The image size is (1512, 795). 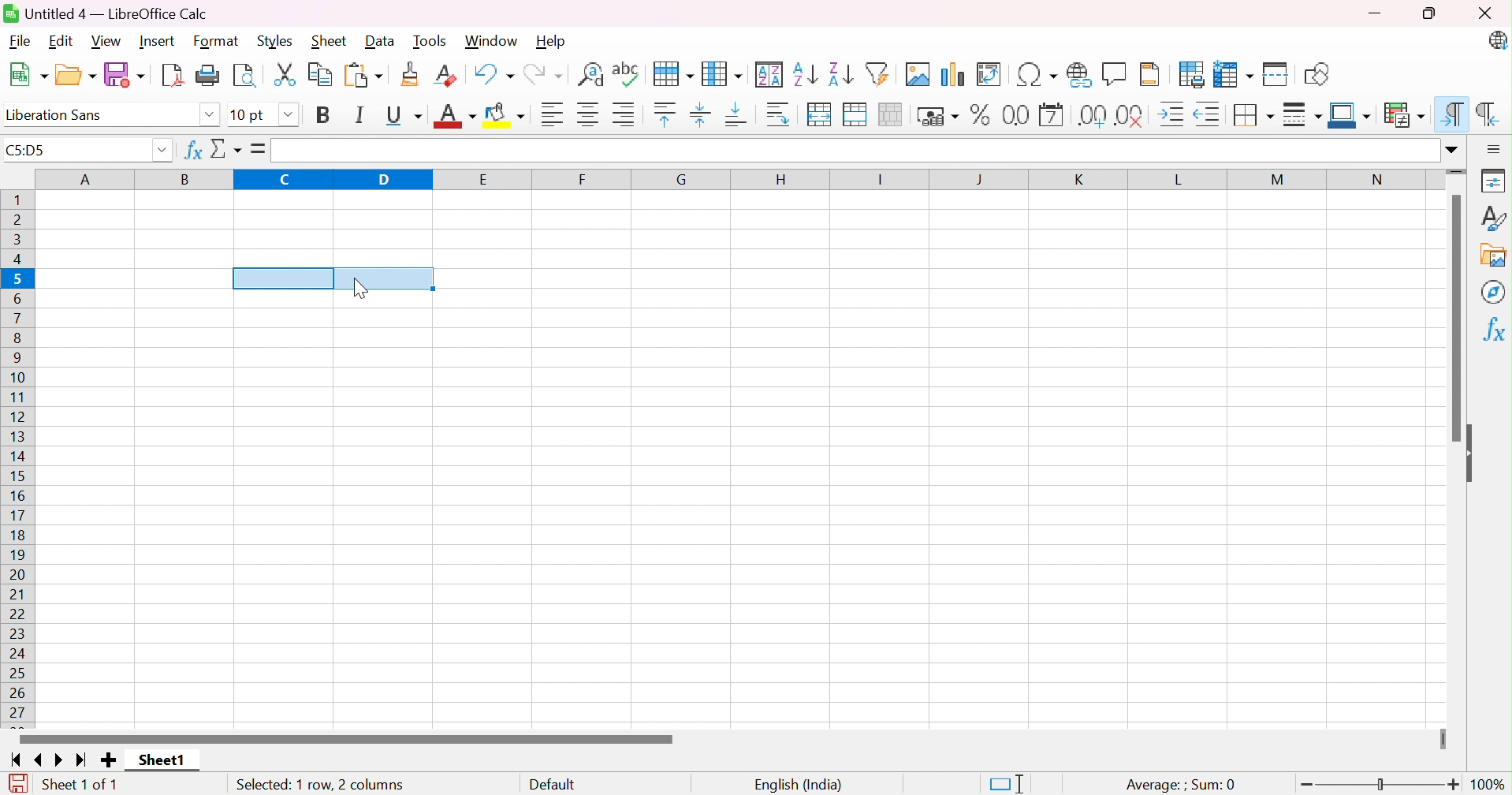 What do you see at coordinates (1485, 13) in the screenshot?
I see `Close` at bounding box center [1485, 13].